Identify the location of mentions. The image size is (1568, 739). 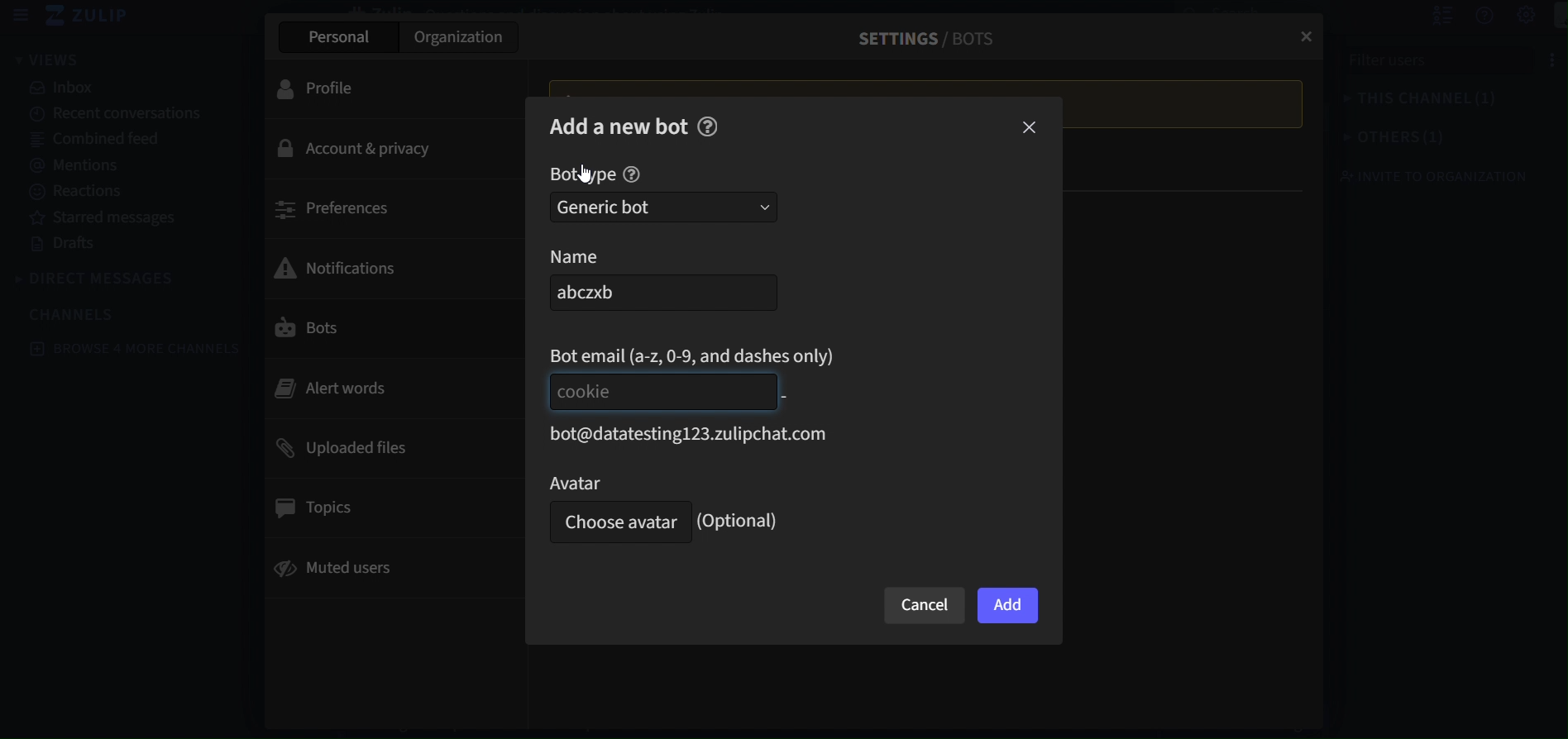
(127, 163).